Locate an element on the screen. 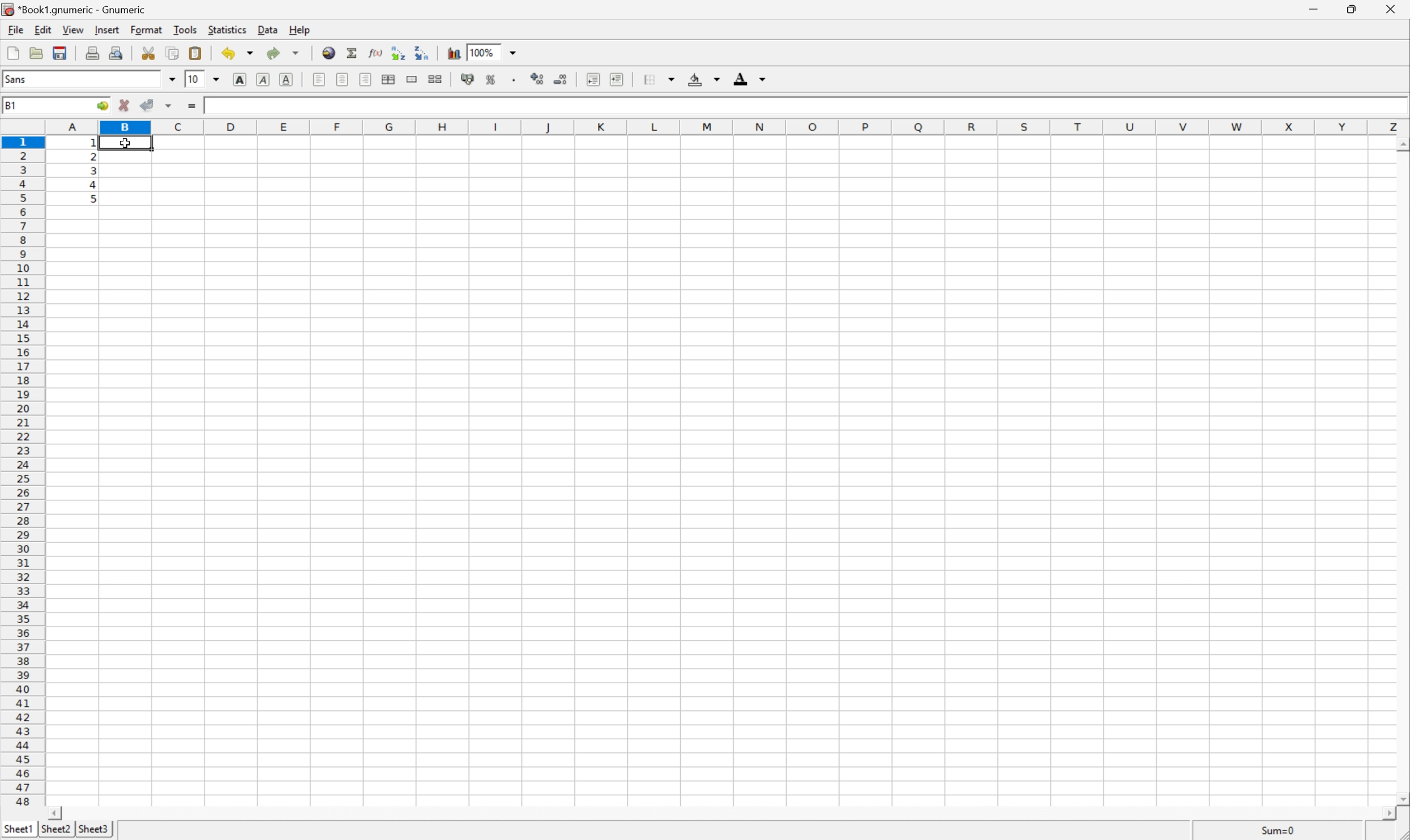 The image size is (1410, 840). Save current workbook is located at coordinates (59, 52).